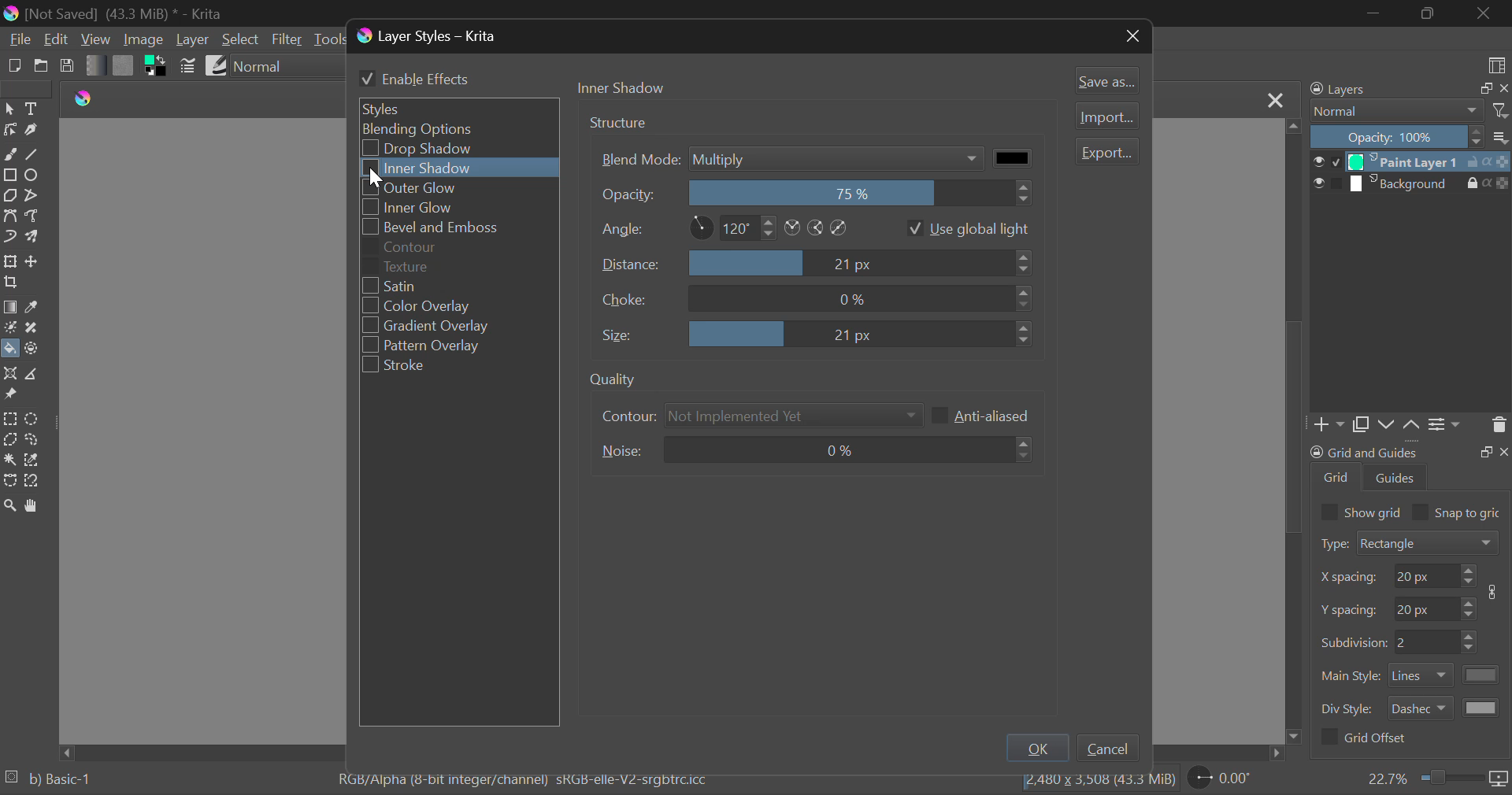  Describe the element at coordinates (1495, 65) in the screenshot. I see `Choose Workspace` at that location.